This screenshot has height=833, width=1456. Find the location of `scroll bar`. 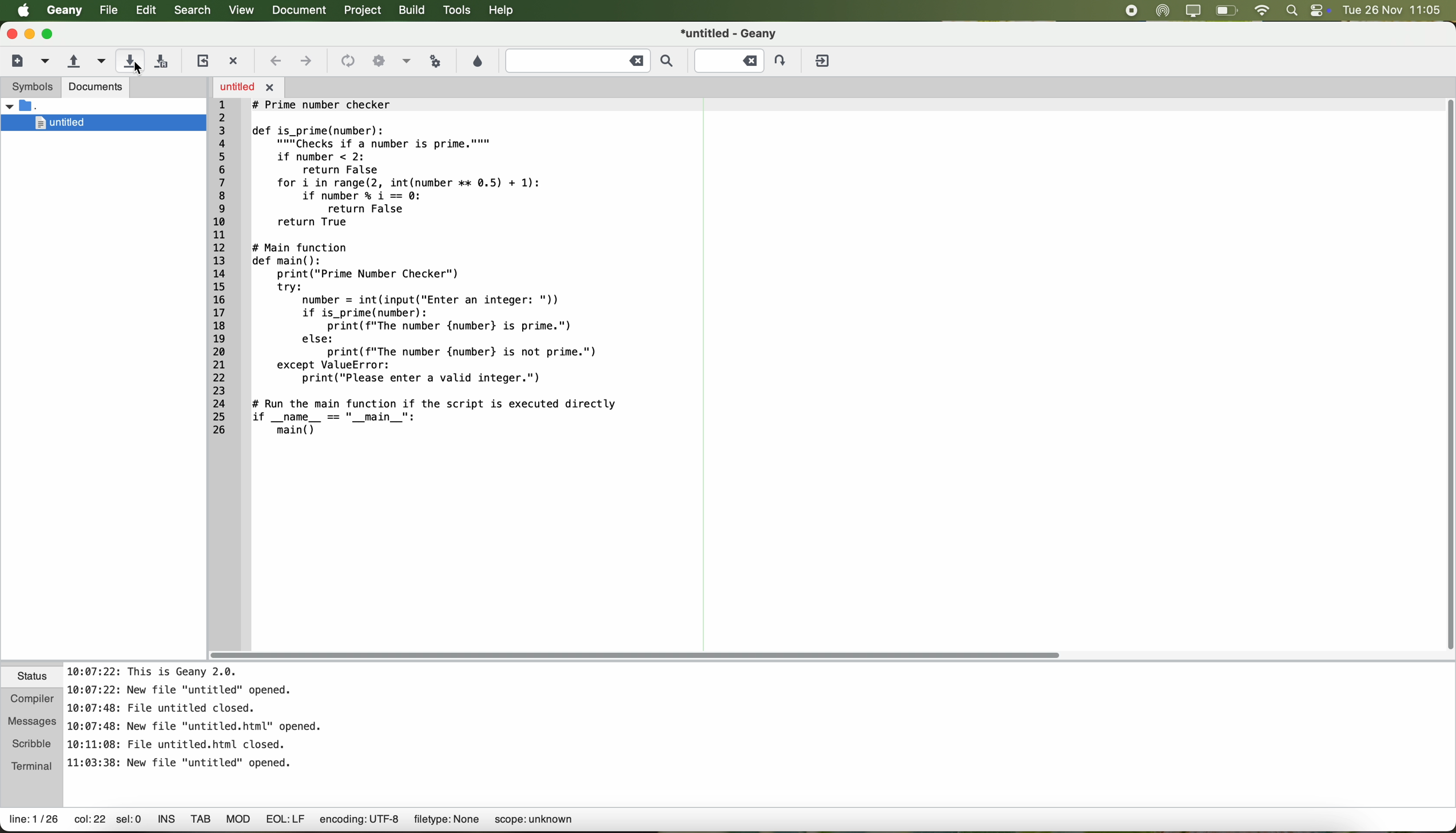

scroll bar is located at coordinates (636, 656).